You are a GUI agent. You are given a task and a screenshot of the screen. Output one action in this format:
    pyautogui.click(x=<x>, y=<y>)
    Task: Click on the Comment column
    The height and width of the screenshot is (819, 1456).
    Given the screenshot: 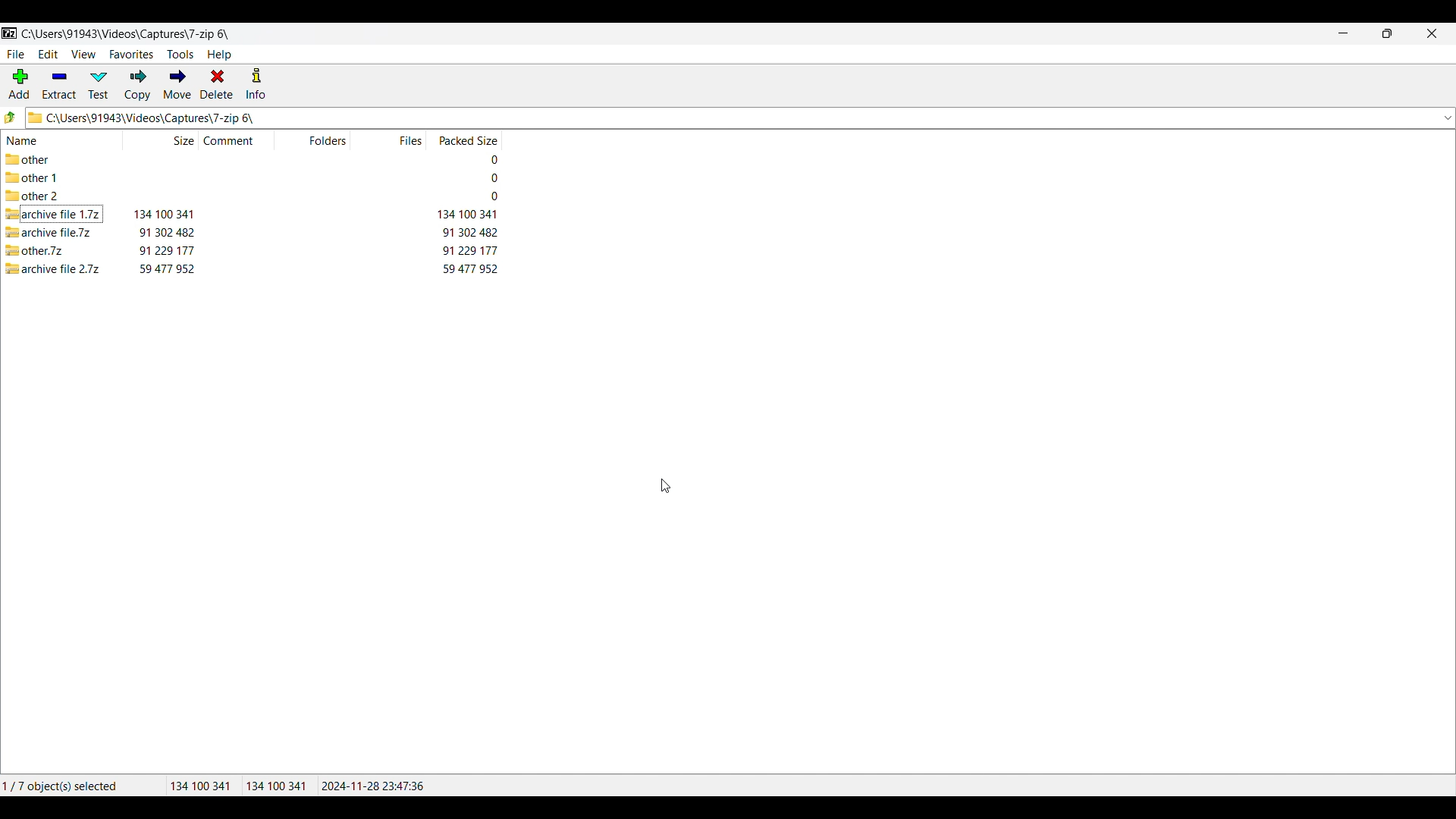 What is the action you would take?
    pyautogui.click(x=238, y=140)
    